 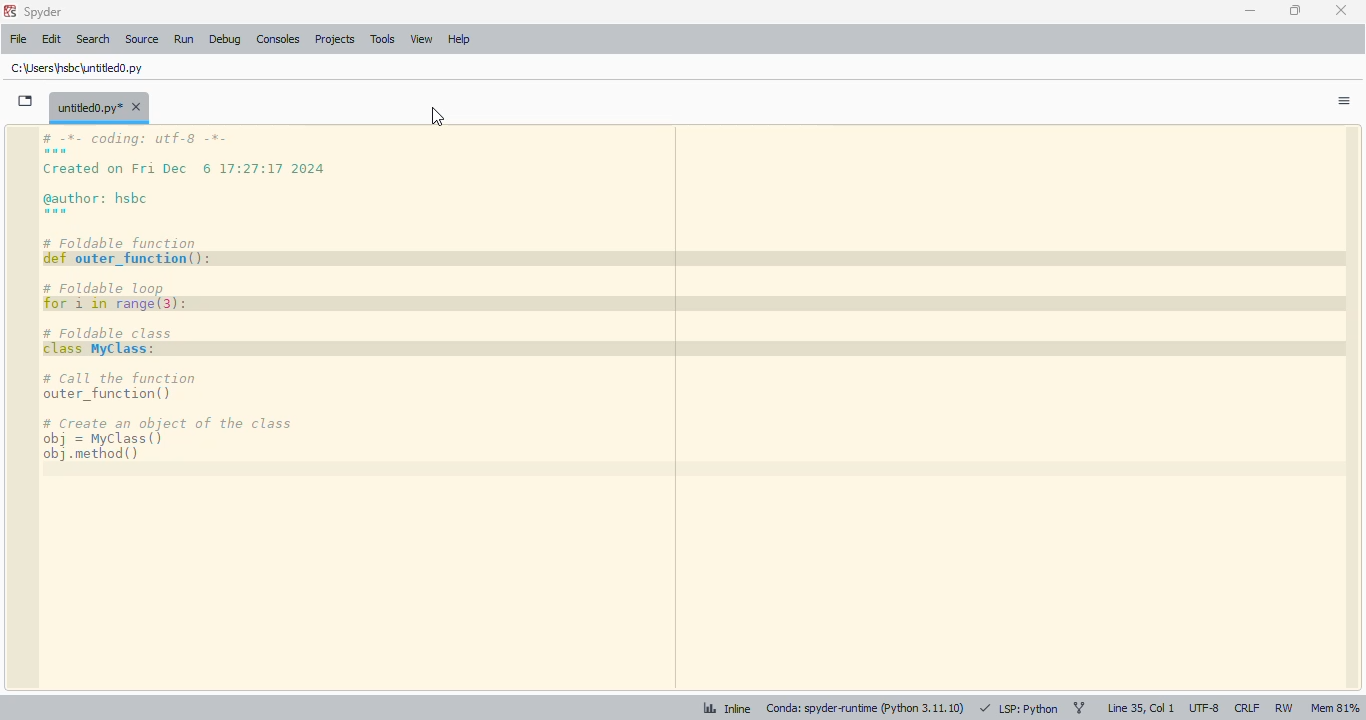 I want to click on tools, so click(x=382, y=40).